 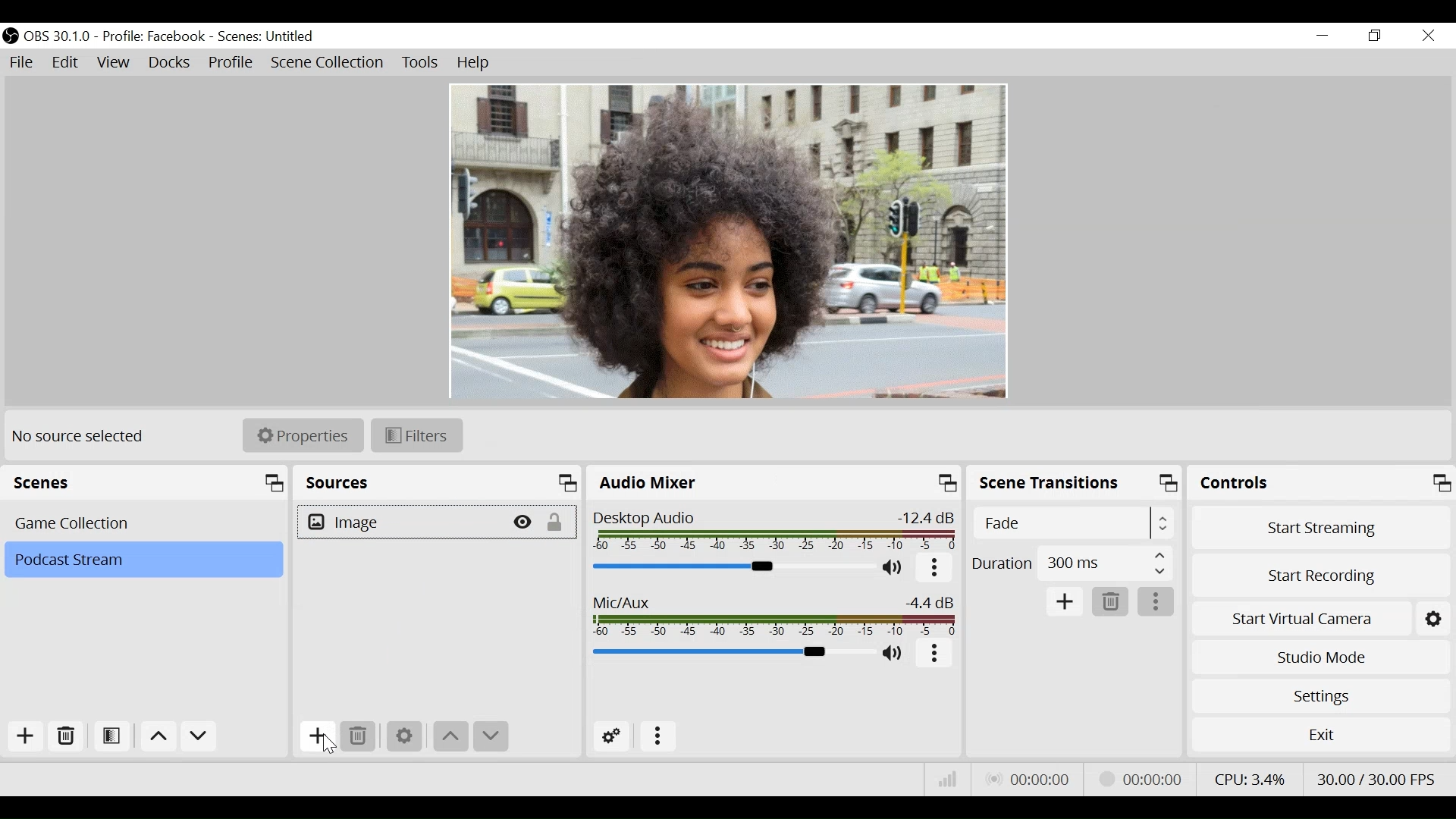 What do you see at coordinates (772, 531) in the screenshot?
I see `Desktop Audio` at bounding box center [772, 531].